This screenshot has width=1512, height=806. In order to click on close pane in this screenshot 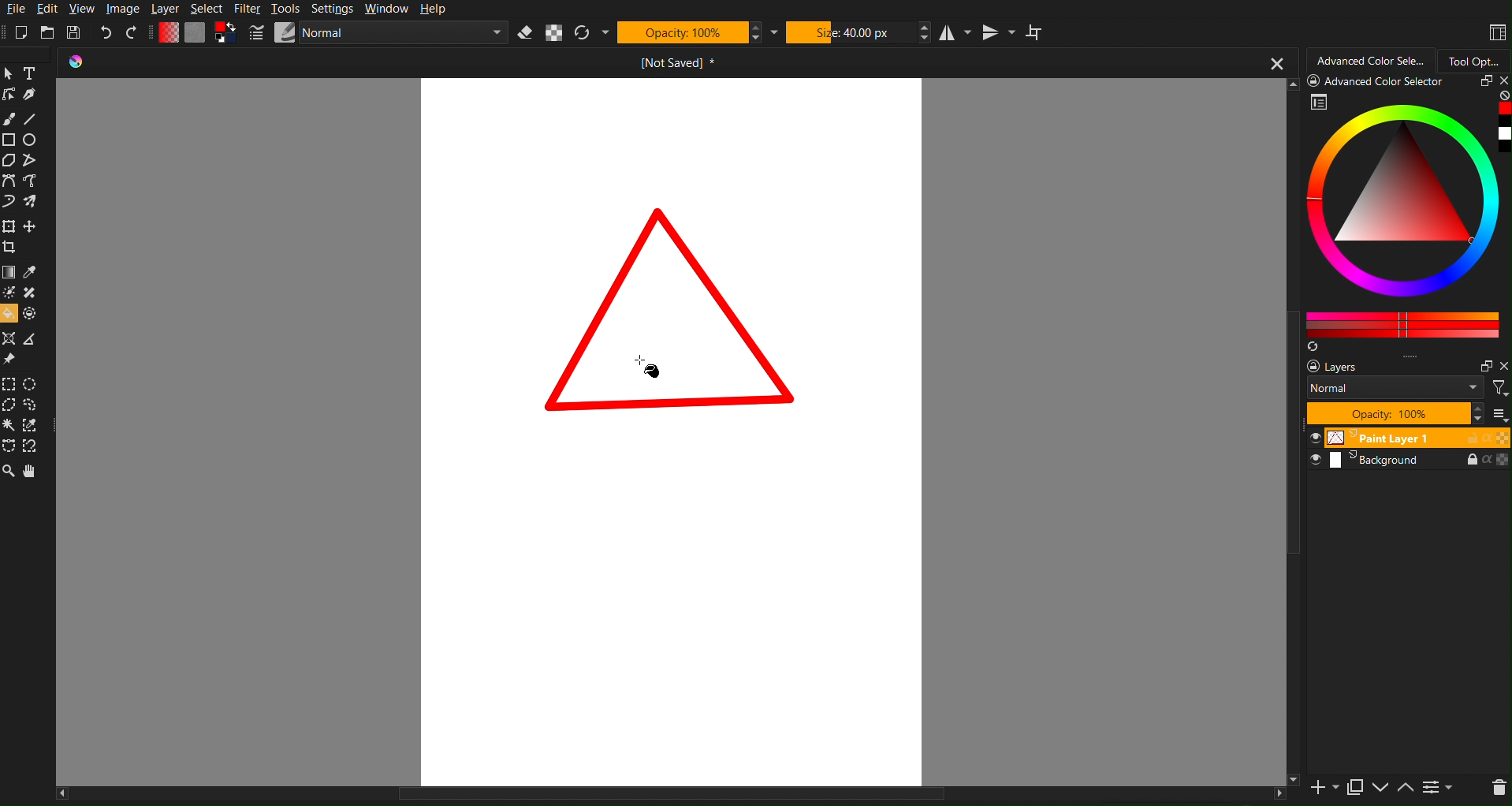, I will do `click(1503, 366)`.